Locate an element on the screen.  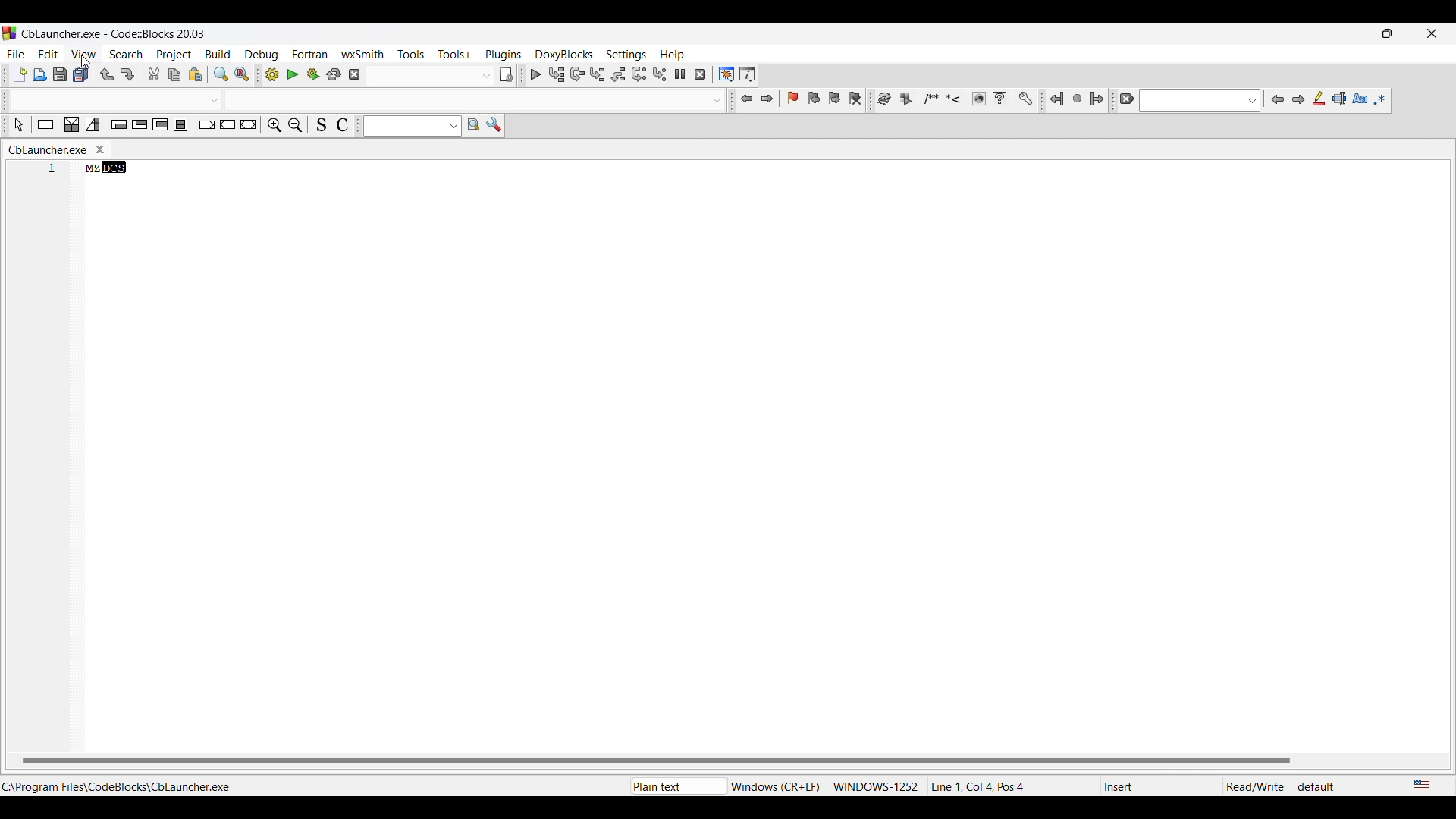
Show the select target dialog is located at coordinates (507, 74).